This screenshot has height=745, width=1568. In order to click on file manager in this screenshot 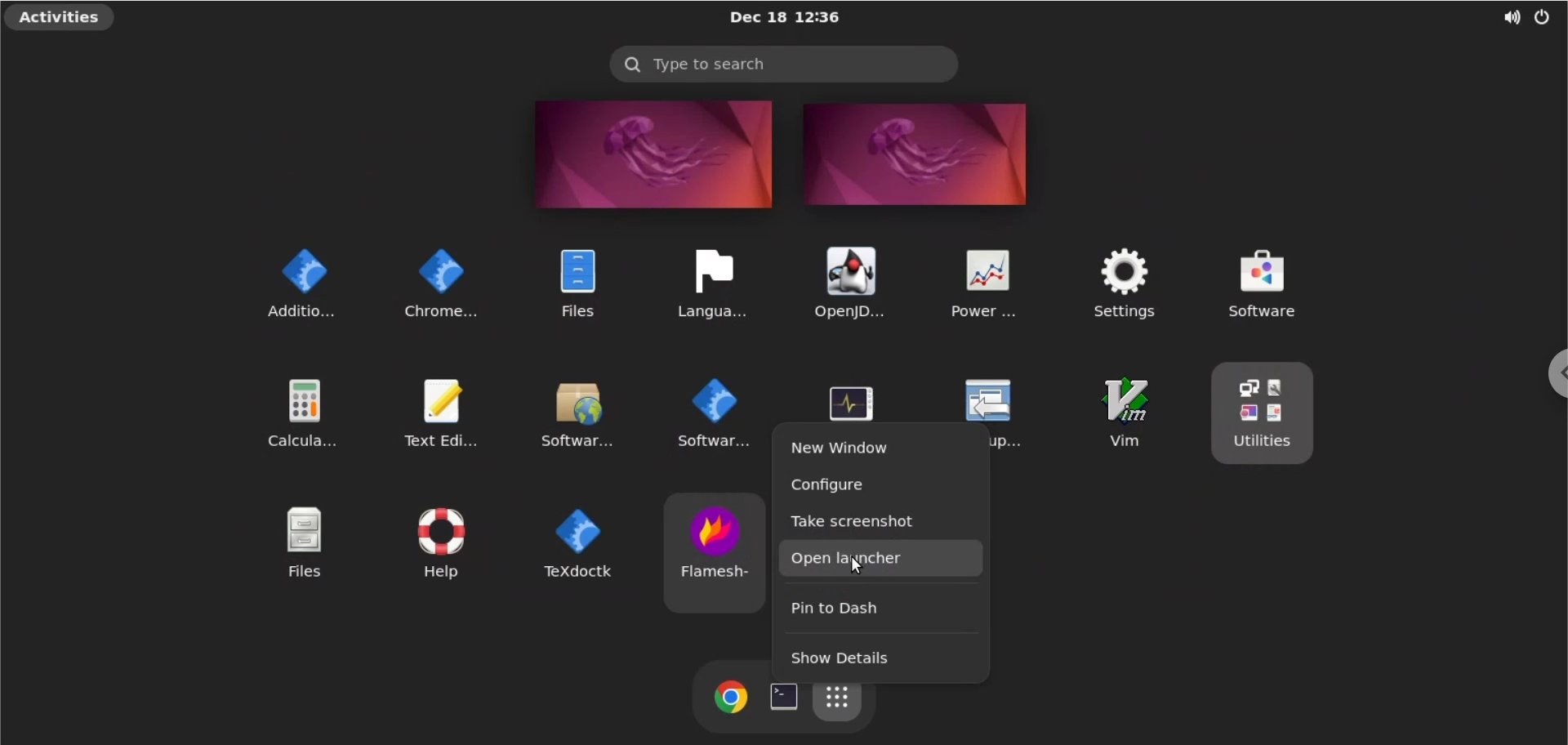, I will do `click(570, 279)`.